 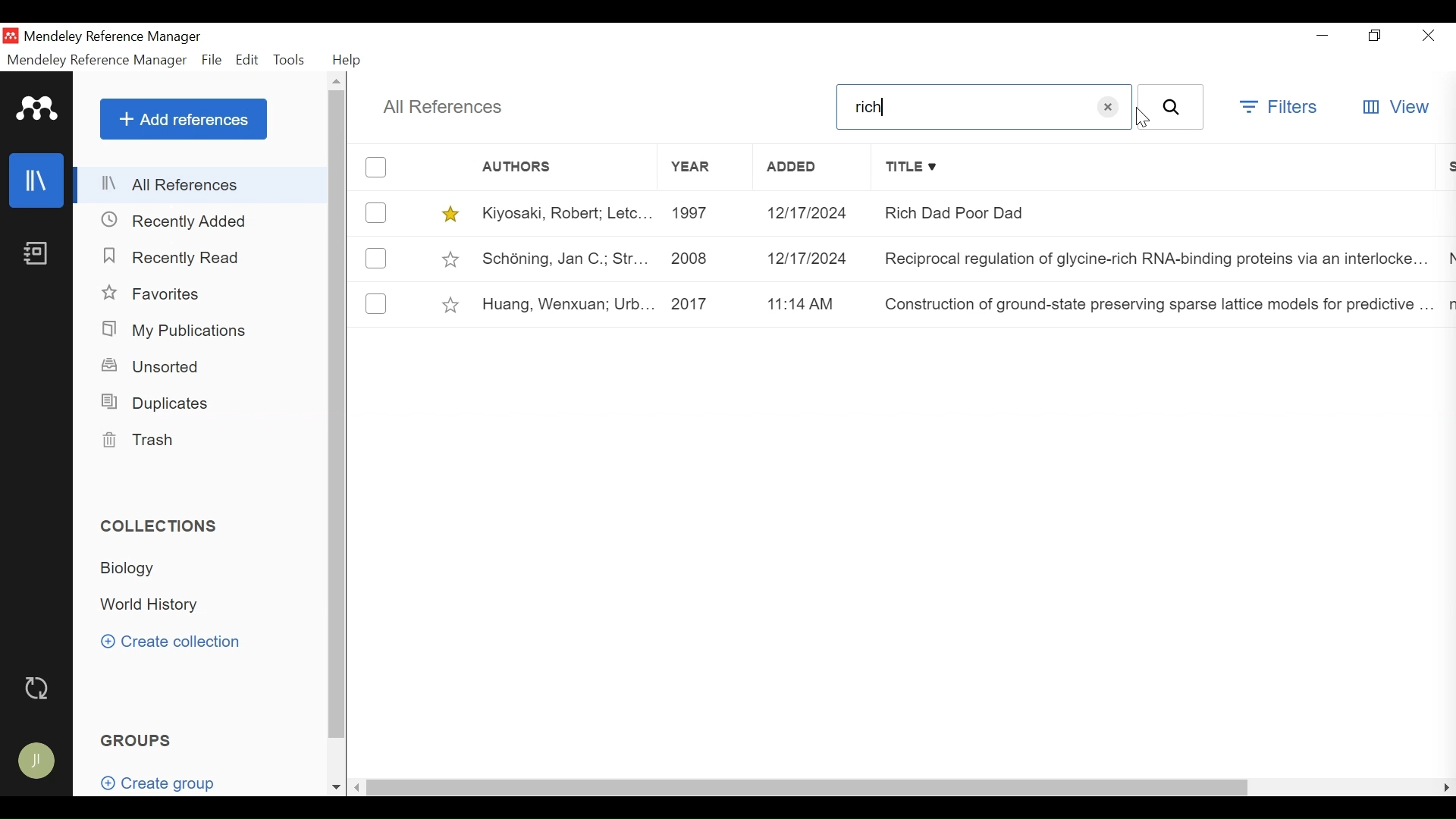 What do you see at coordinates (338, 81) in the screenshot?
I see `Scroll up` at bounding box center [338, 81].